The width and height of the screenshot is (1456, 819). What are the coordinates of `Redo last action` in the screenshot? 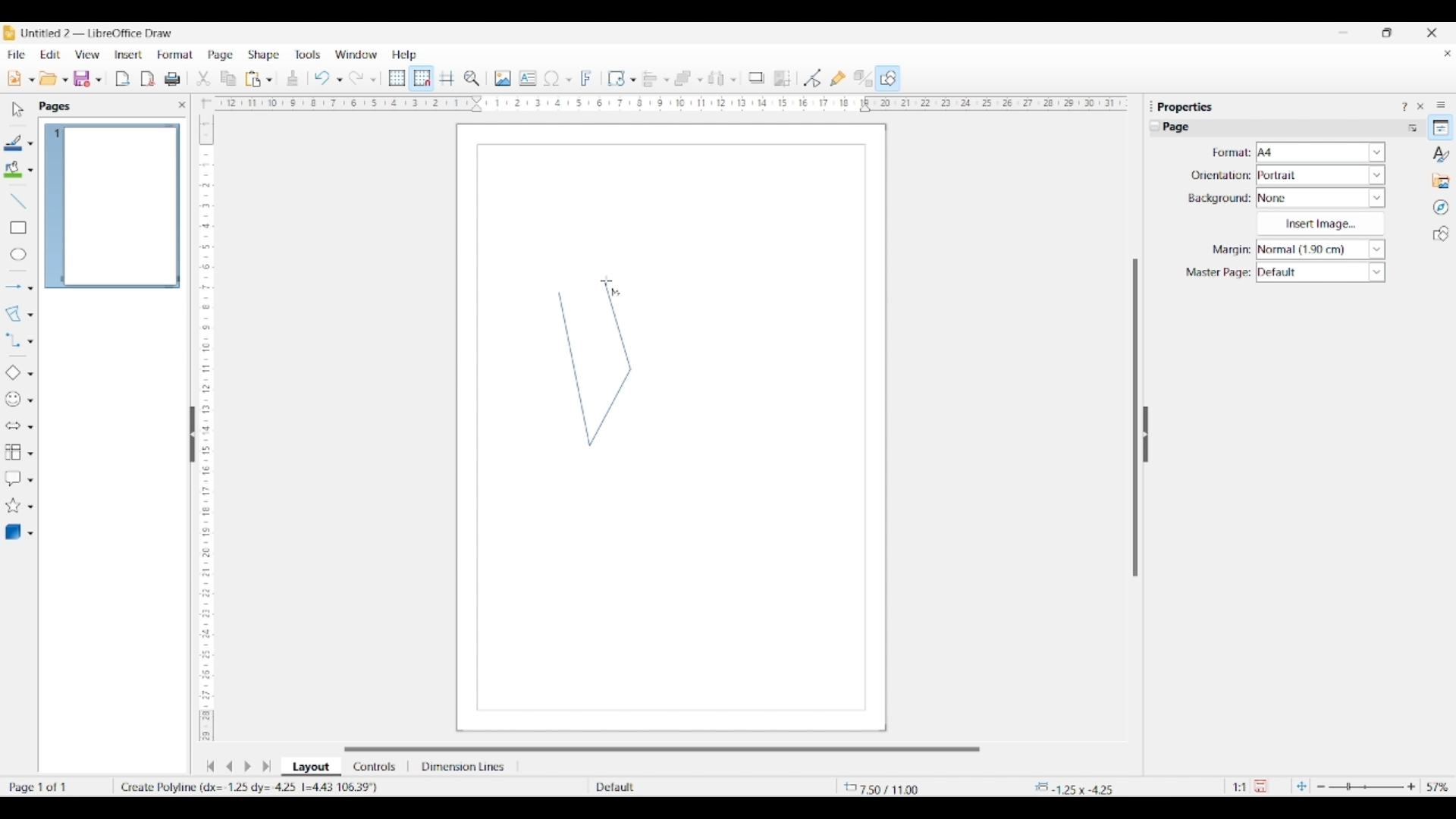 It's located at (356, 78).